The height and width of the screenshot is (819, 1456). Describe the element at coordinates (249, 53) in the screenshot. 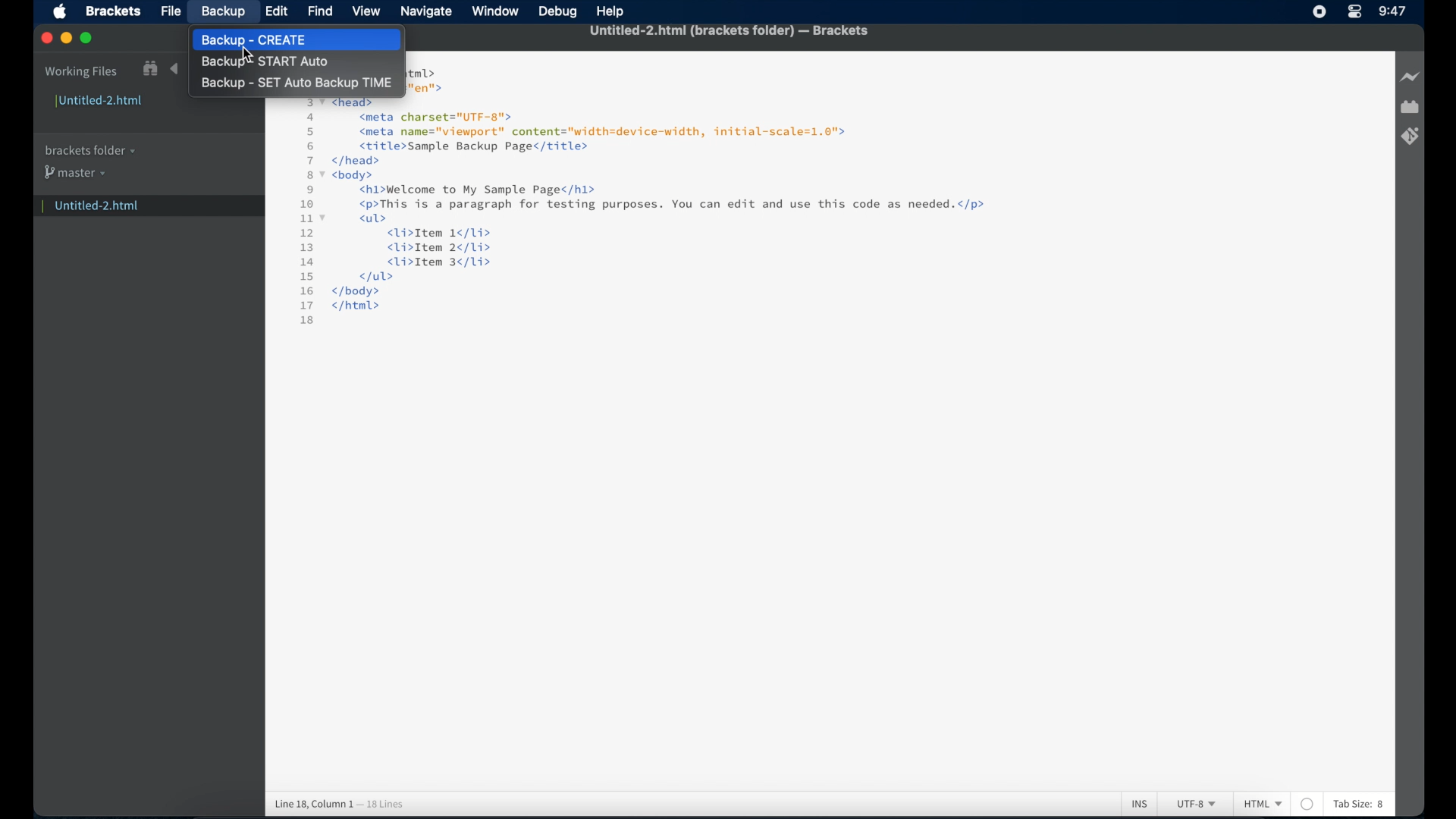

I see `Cursor` at that location.